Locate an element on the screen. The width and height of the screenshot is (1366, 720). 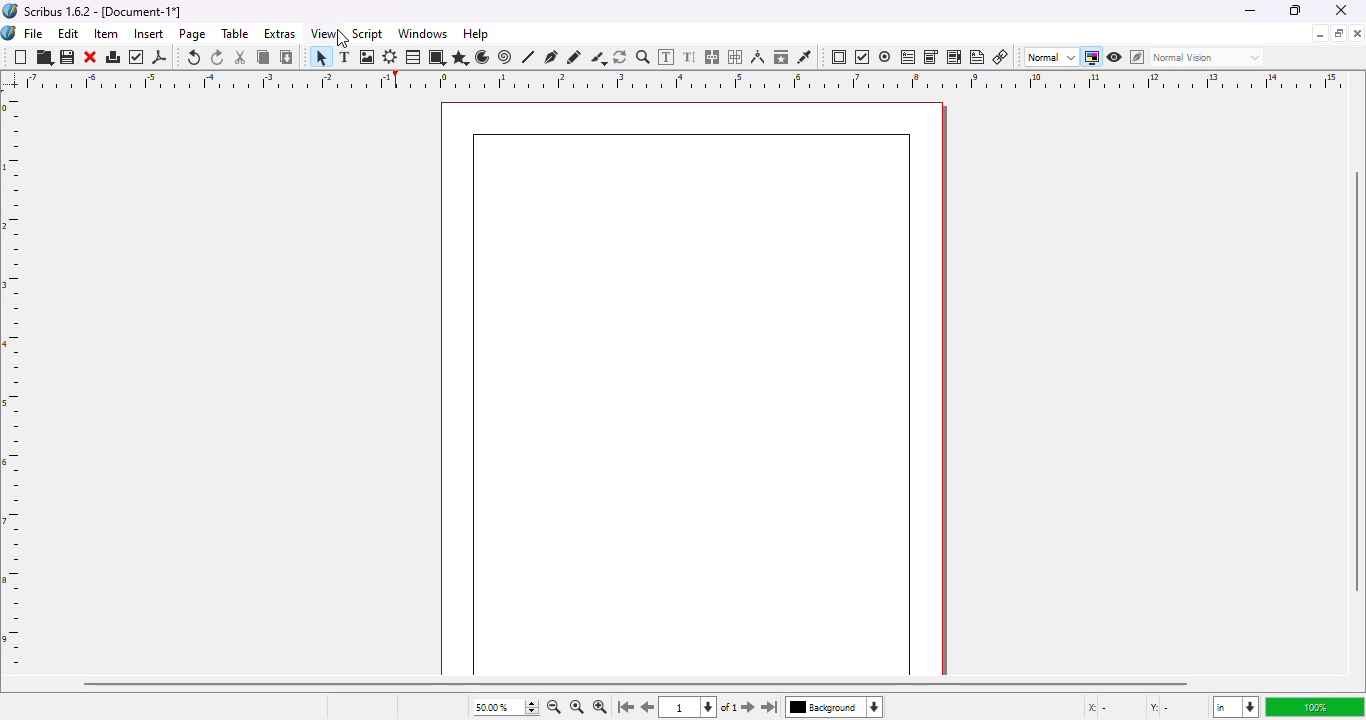
PDF combo box is located at coordinates (931, 57).